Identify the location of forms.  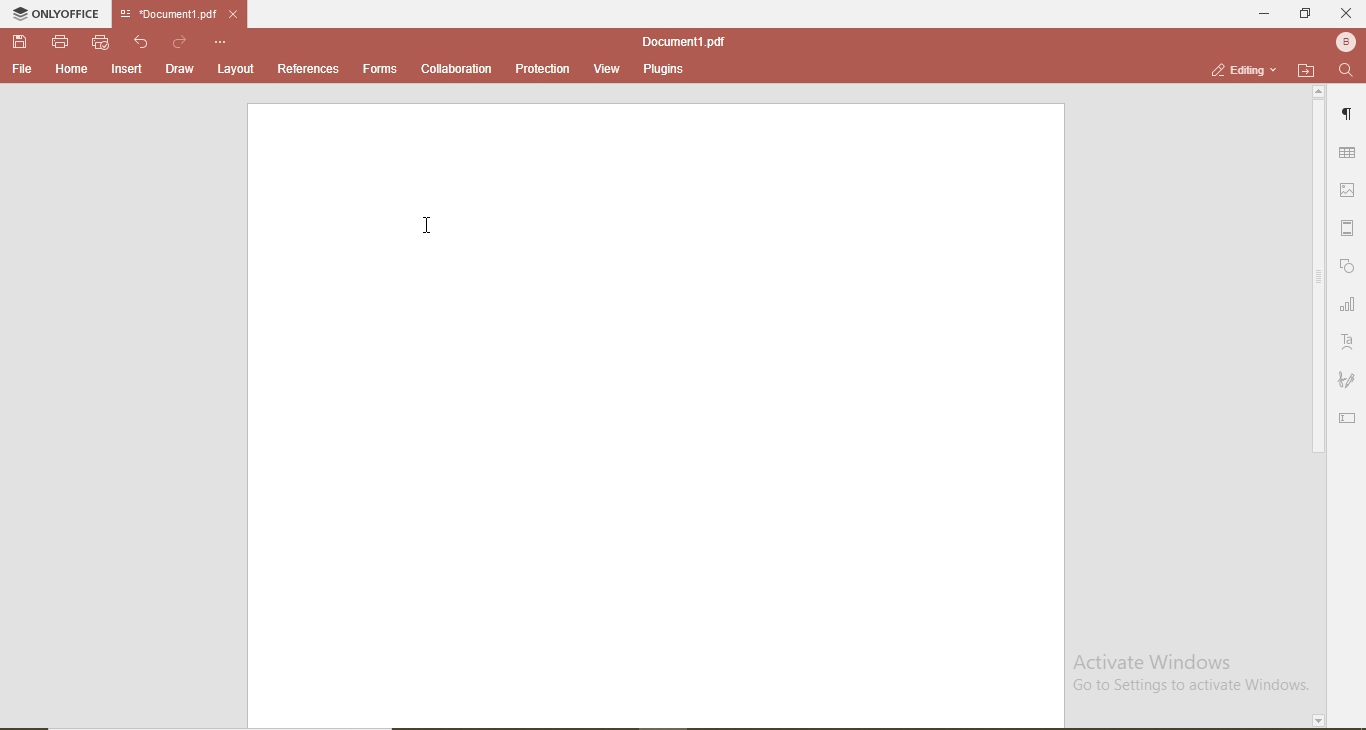
(378, 69).